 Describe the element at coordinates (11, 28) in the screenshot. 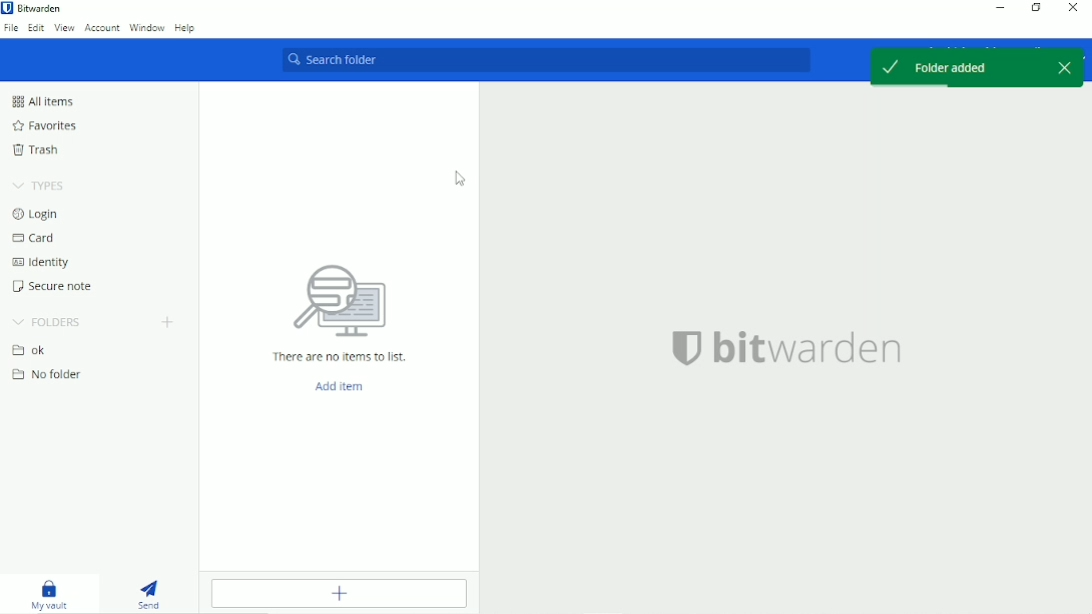

I see `File` at that location.